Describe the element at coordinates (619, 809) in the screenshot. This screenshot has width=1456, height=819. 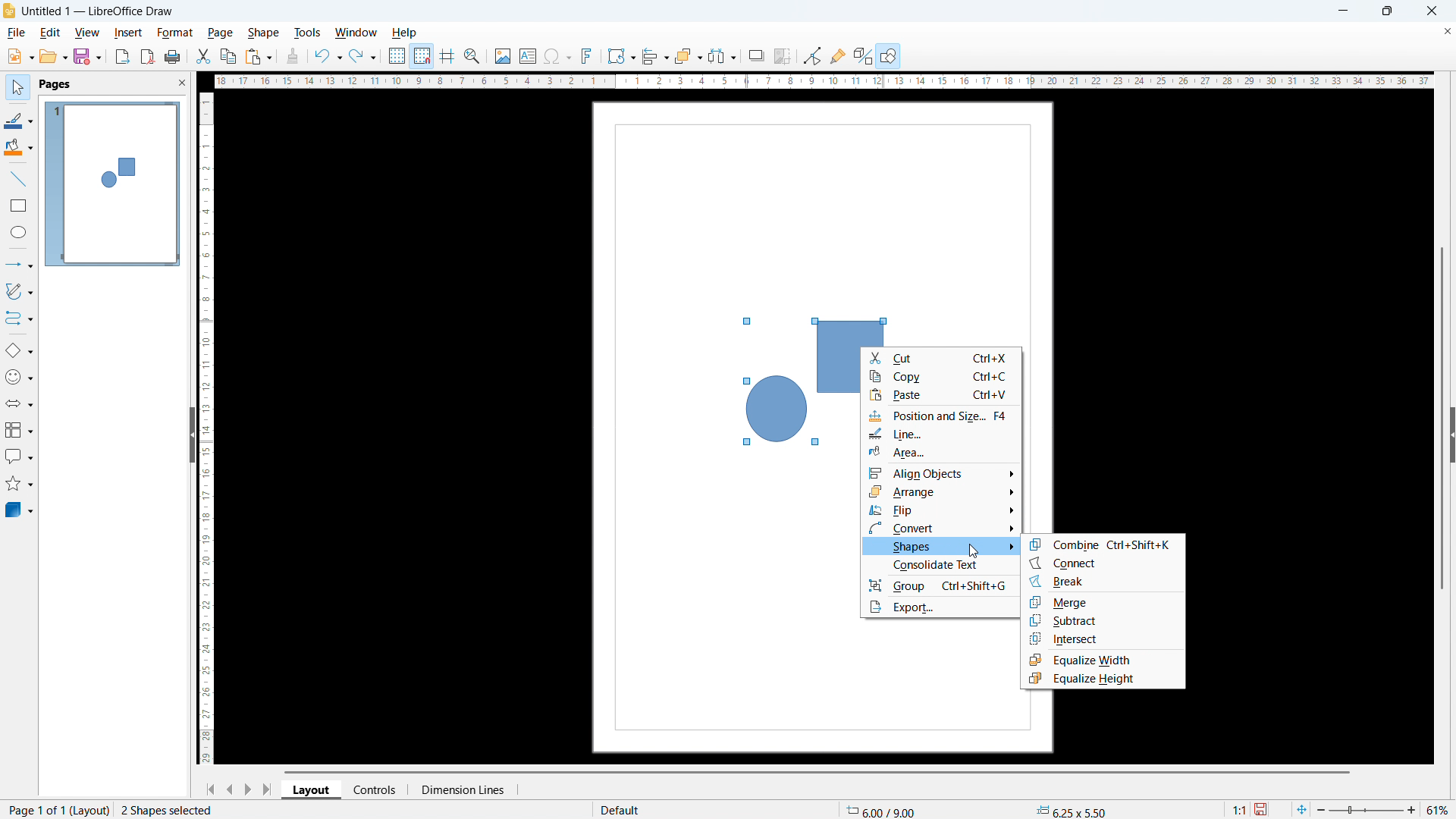
I see `default page display` at that location.